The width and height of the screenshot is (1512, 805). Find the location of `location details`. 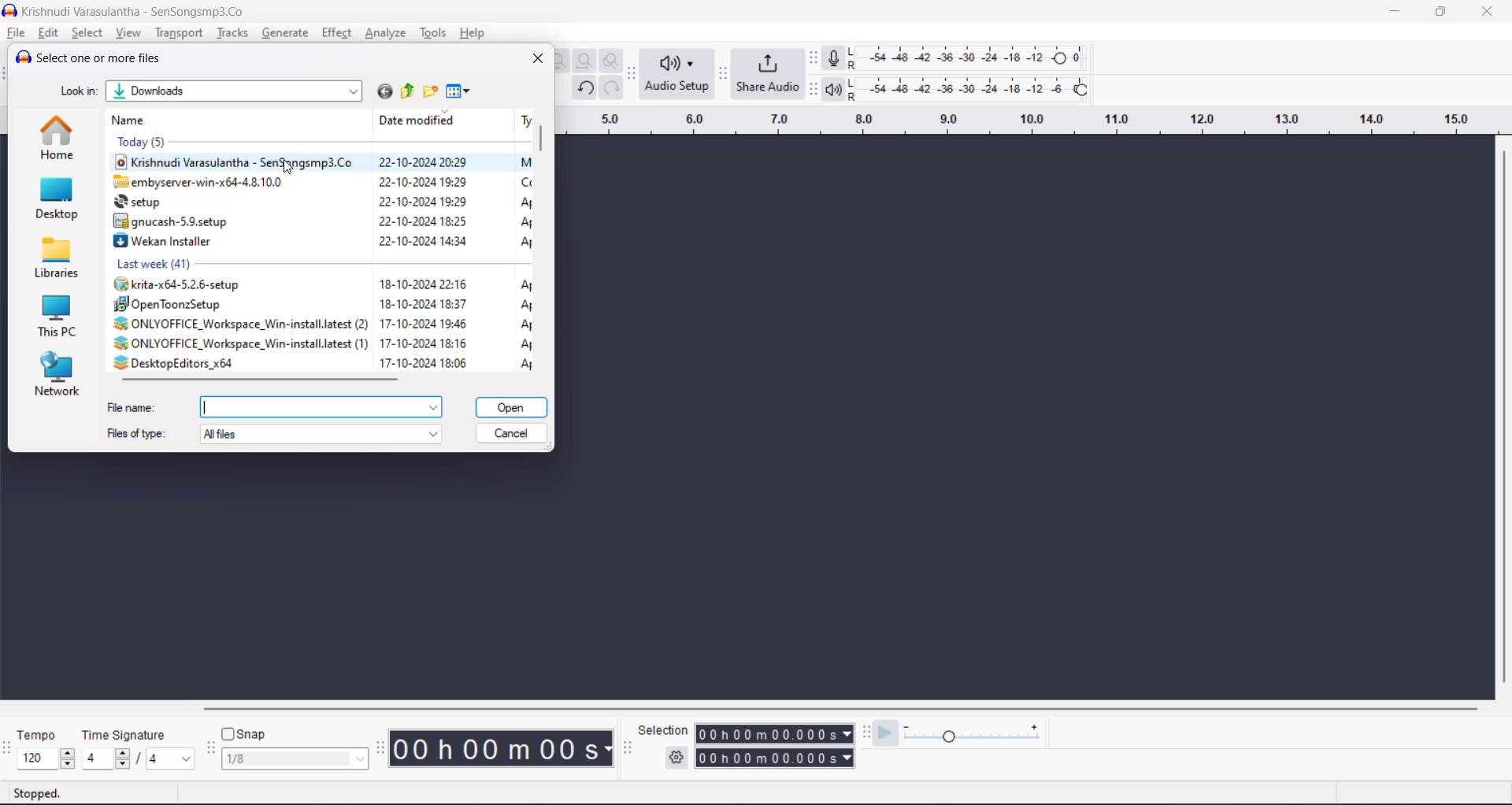

location details is located at coordinates (212, 94).